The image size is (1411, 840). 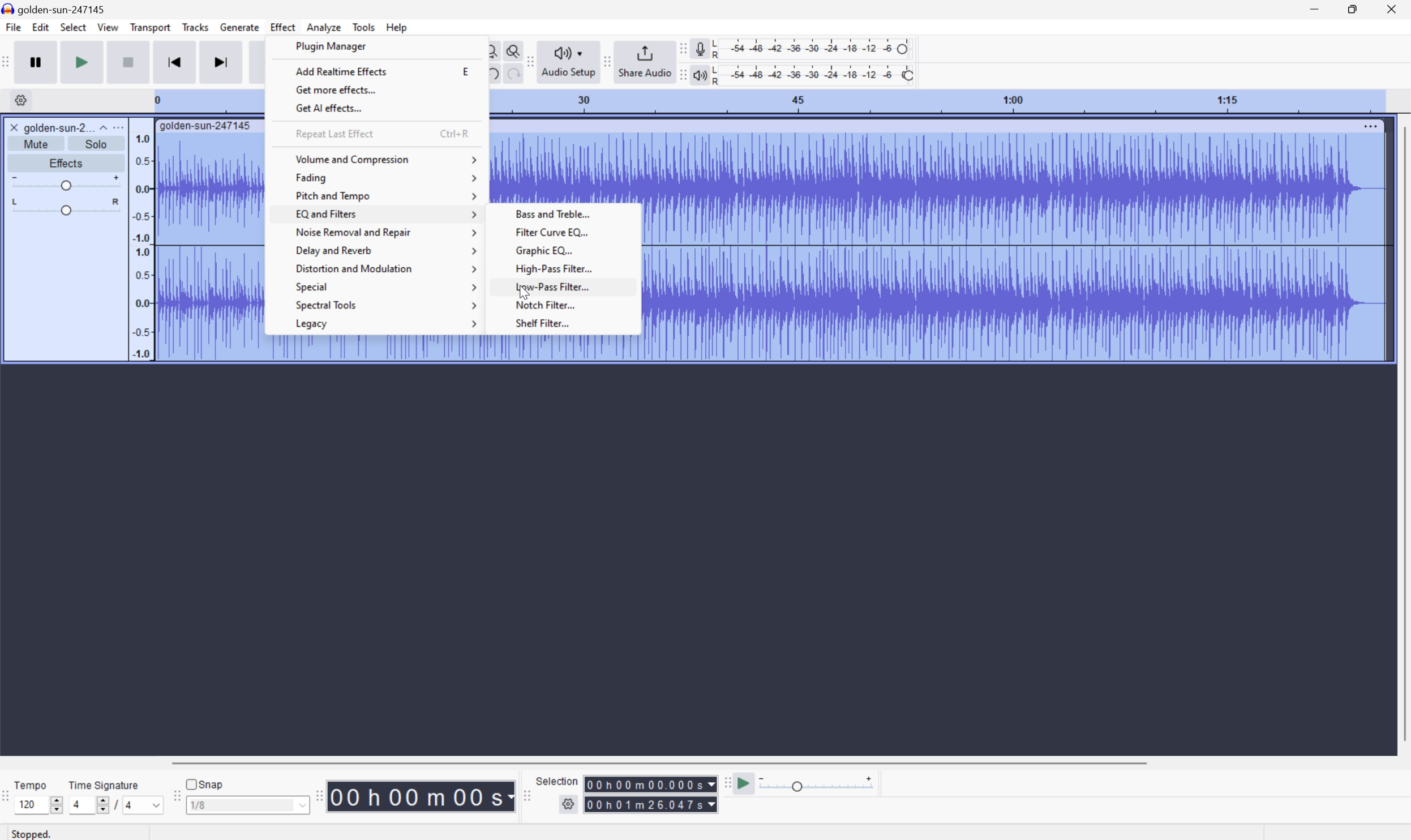 I want to click on Play, so click(x=82, y=61).